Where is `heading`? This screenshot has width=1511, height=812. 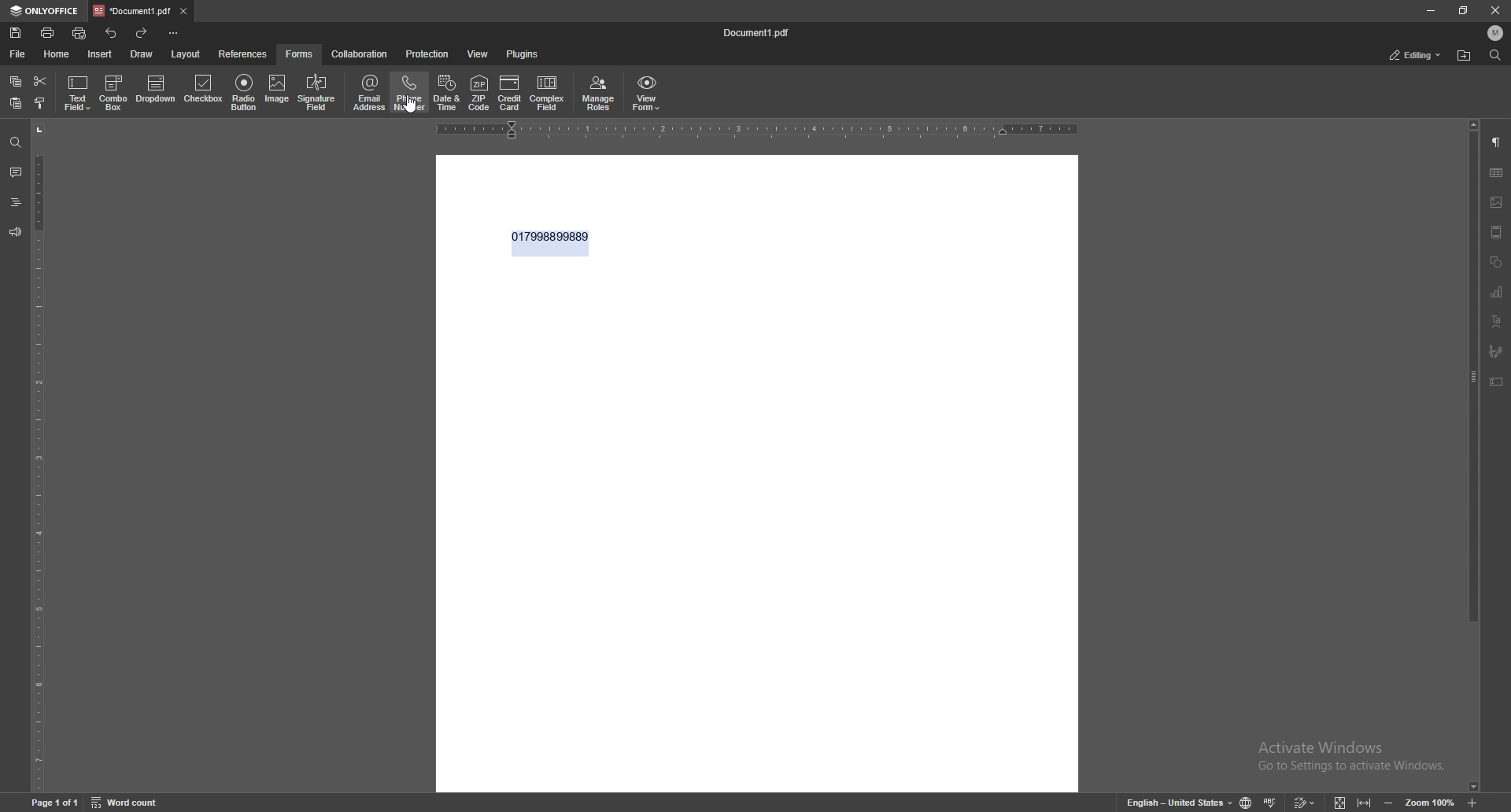
heading is located at coordinates (16, 202).